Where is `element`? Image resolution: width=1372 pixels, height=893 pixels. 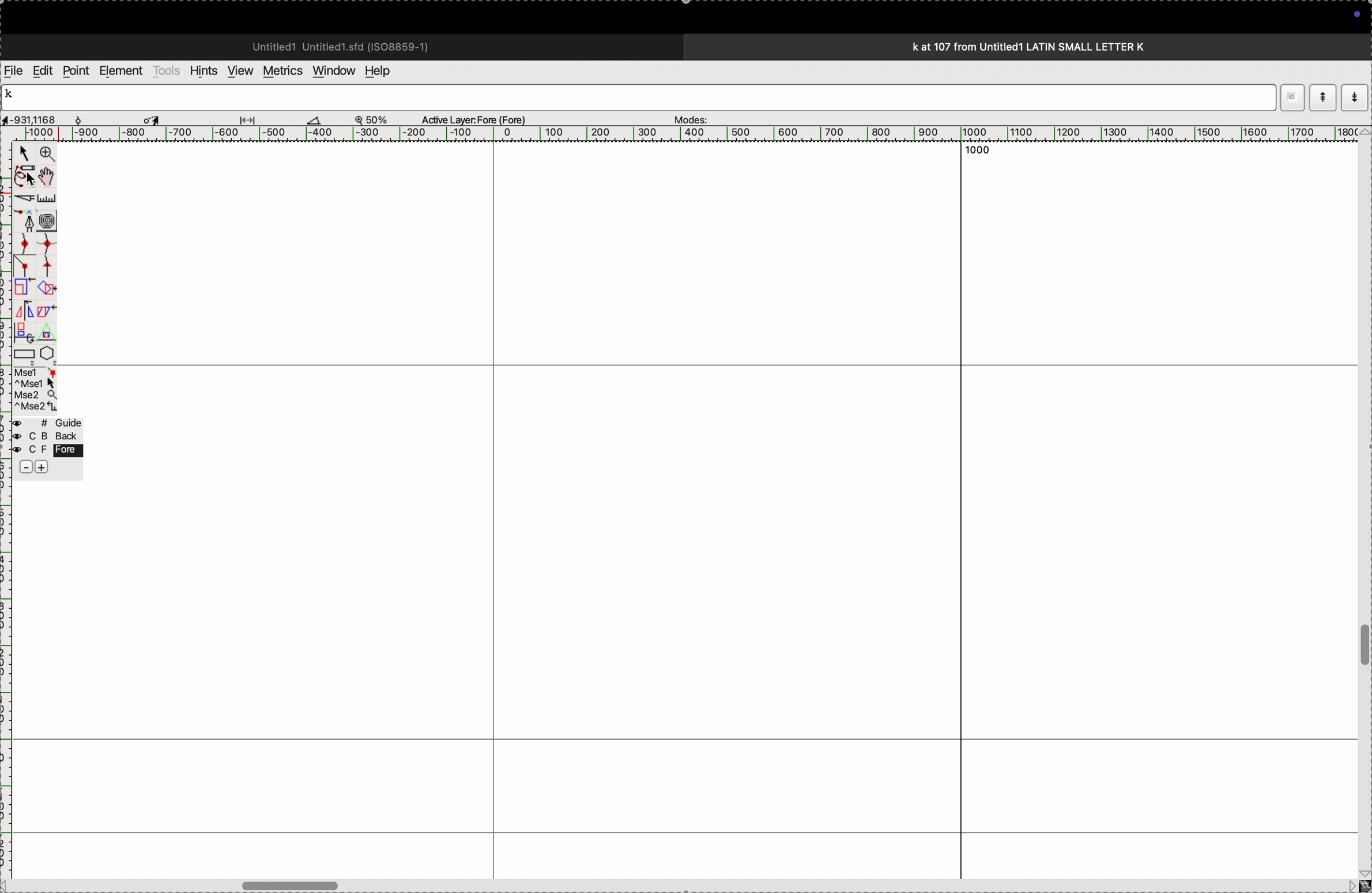
element is located at coordinates (122, 71).